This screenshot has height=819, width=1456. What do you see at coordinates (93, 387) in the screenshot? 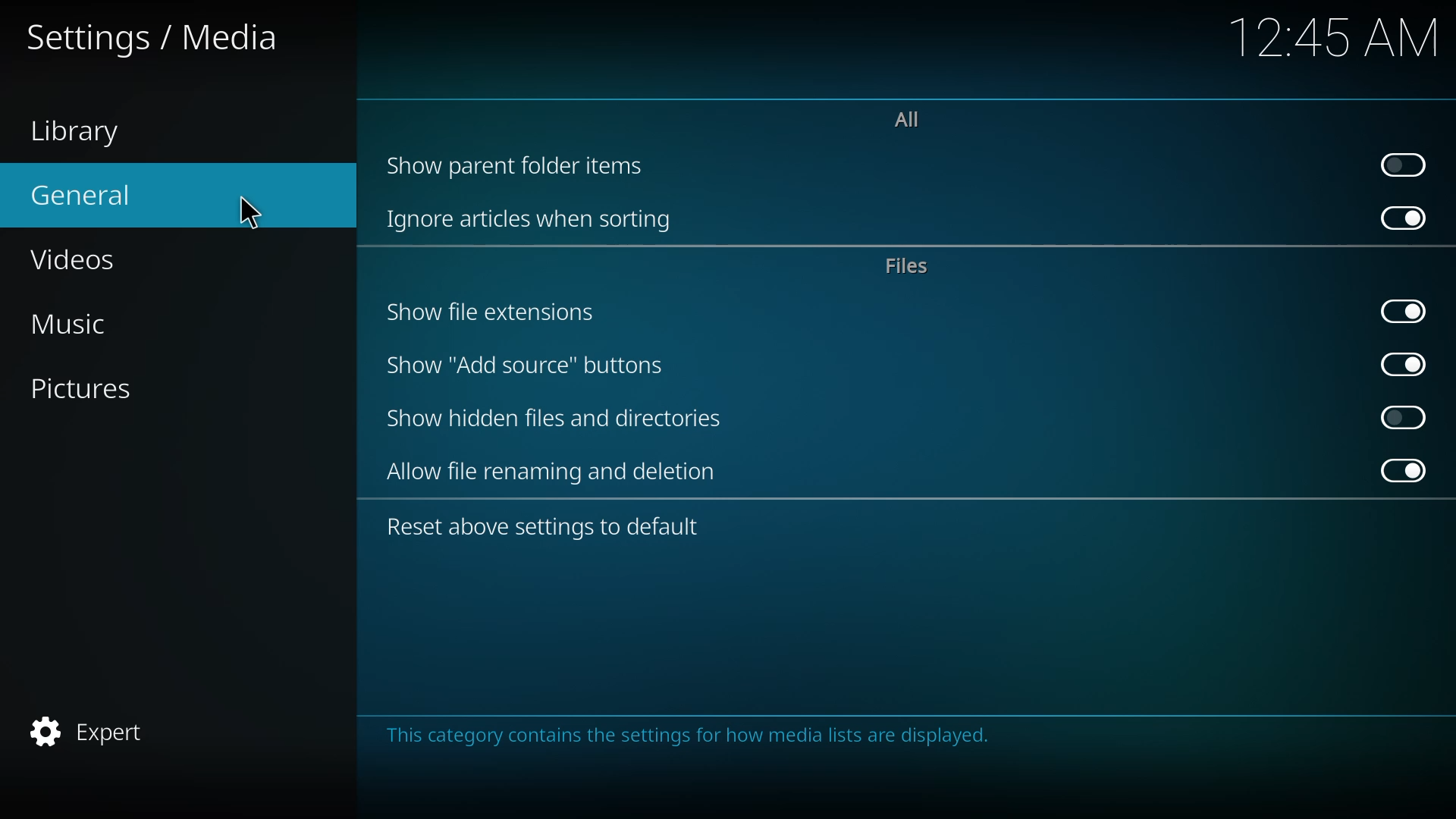
I see `pictures` at bounding box center [93, 387].